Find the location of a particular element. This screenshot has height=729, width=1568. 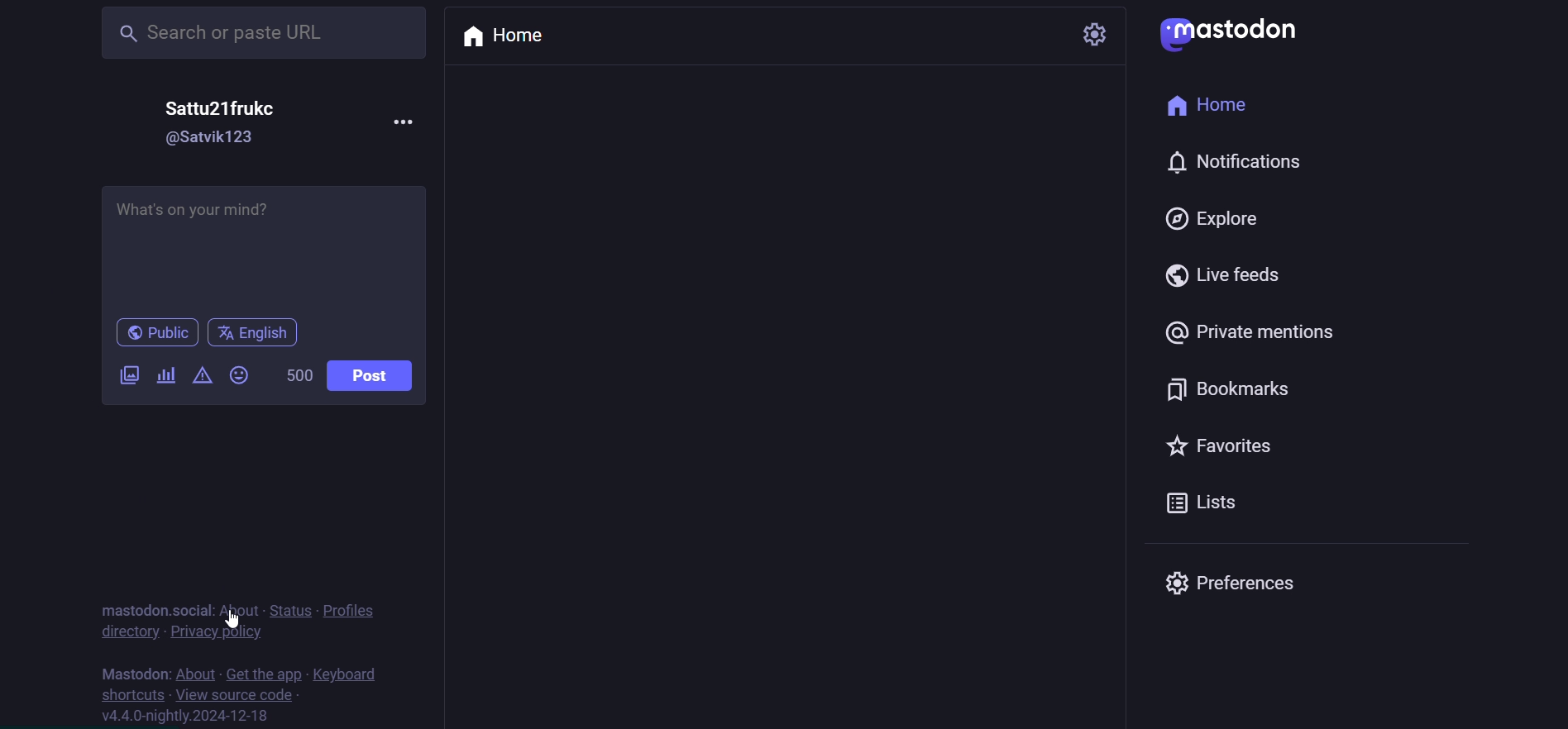

english is located at coordinates (256, 333).